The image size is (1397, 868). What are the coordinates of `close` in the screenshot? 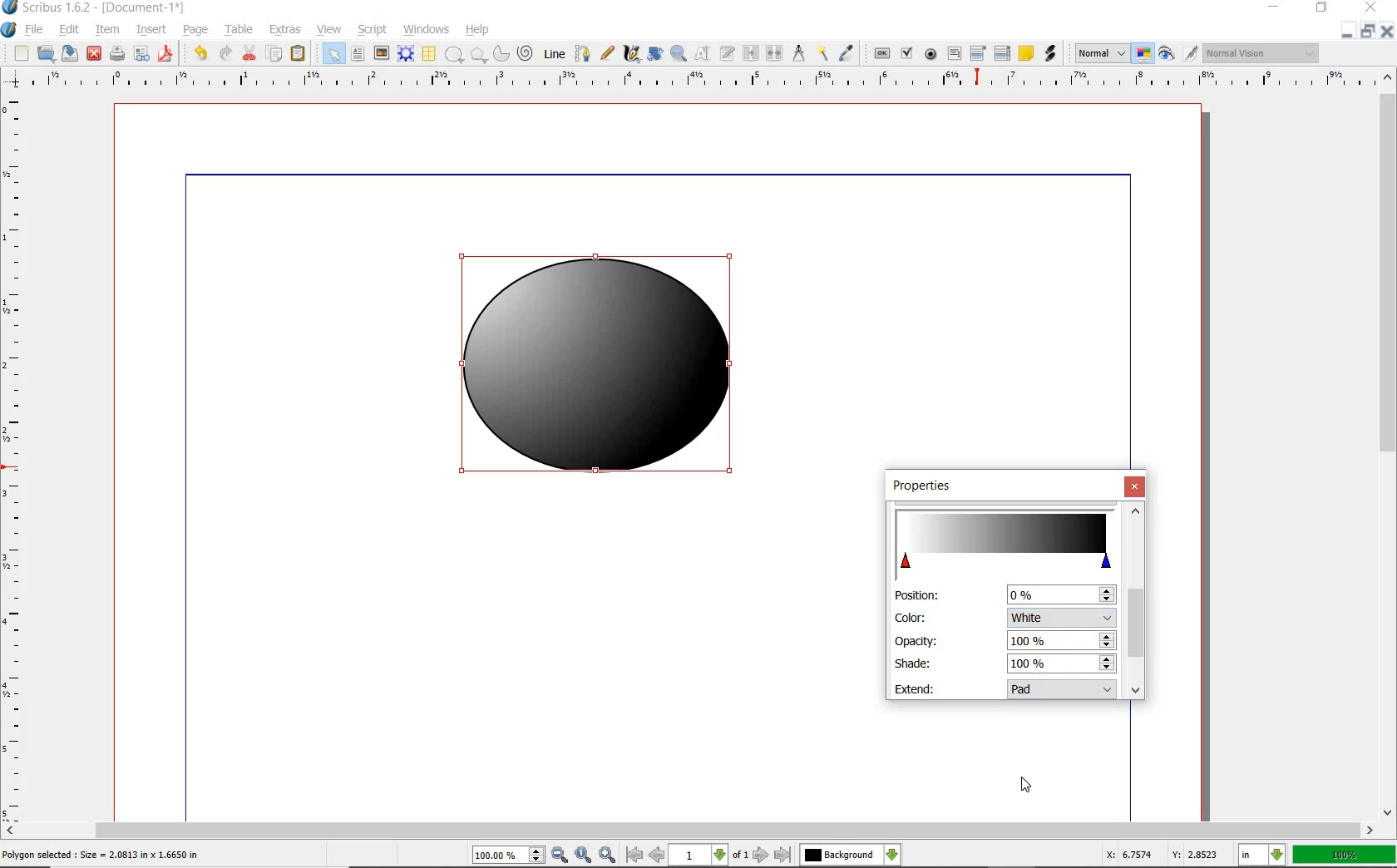 It's located at (1137, 486).